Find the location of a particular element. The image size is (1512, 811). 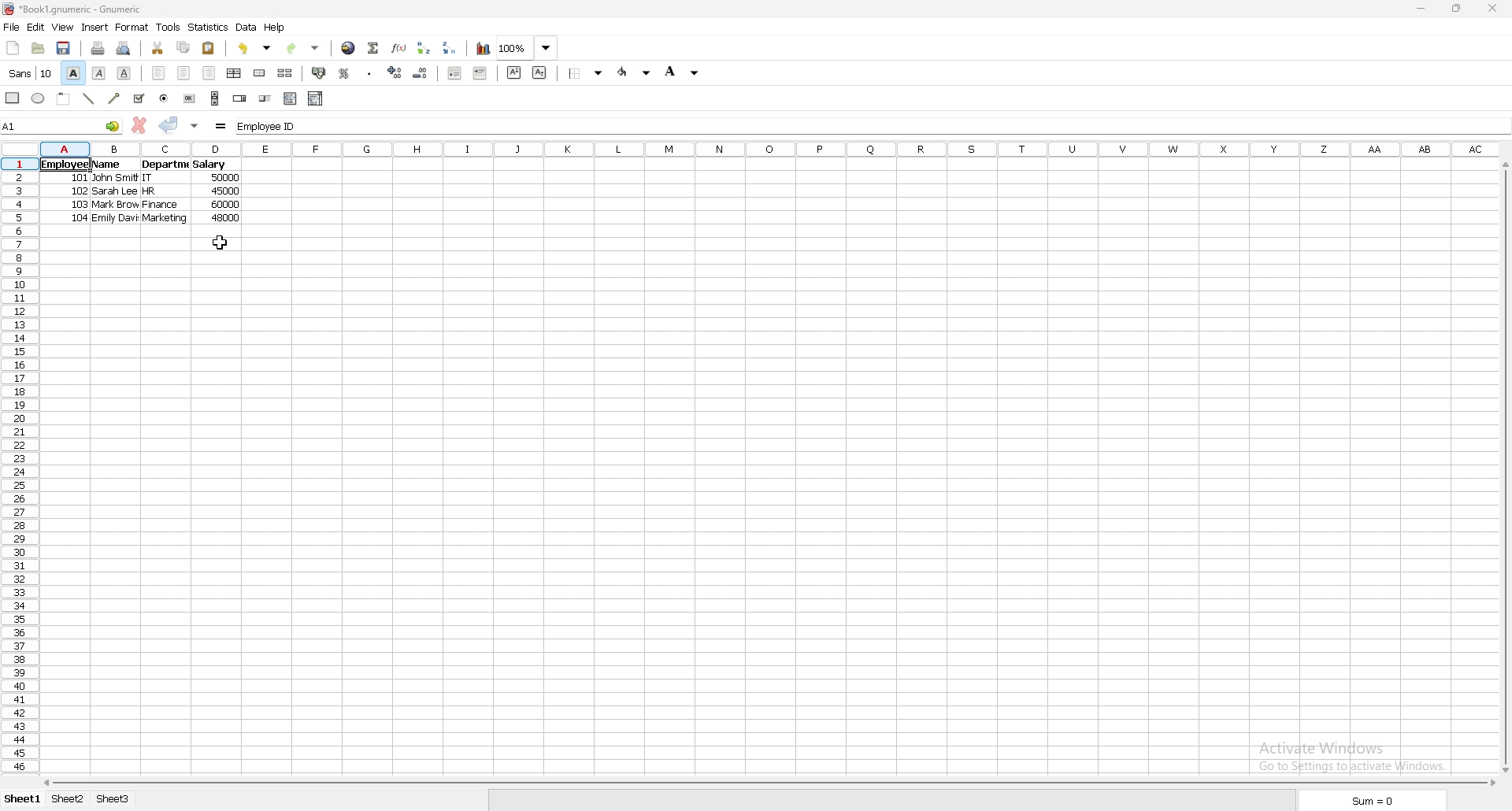

sort ascending is located at coordinates (424, 47).